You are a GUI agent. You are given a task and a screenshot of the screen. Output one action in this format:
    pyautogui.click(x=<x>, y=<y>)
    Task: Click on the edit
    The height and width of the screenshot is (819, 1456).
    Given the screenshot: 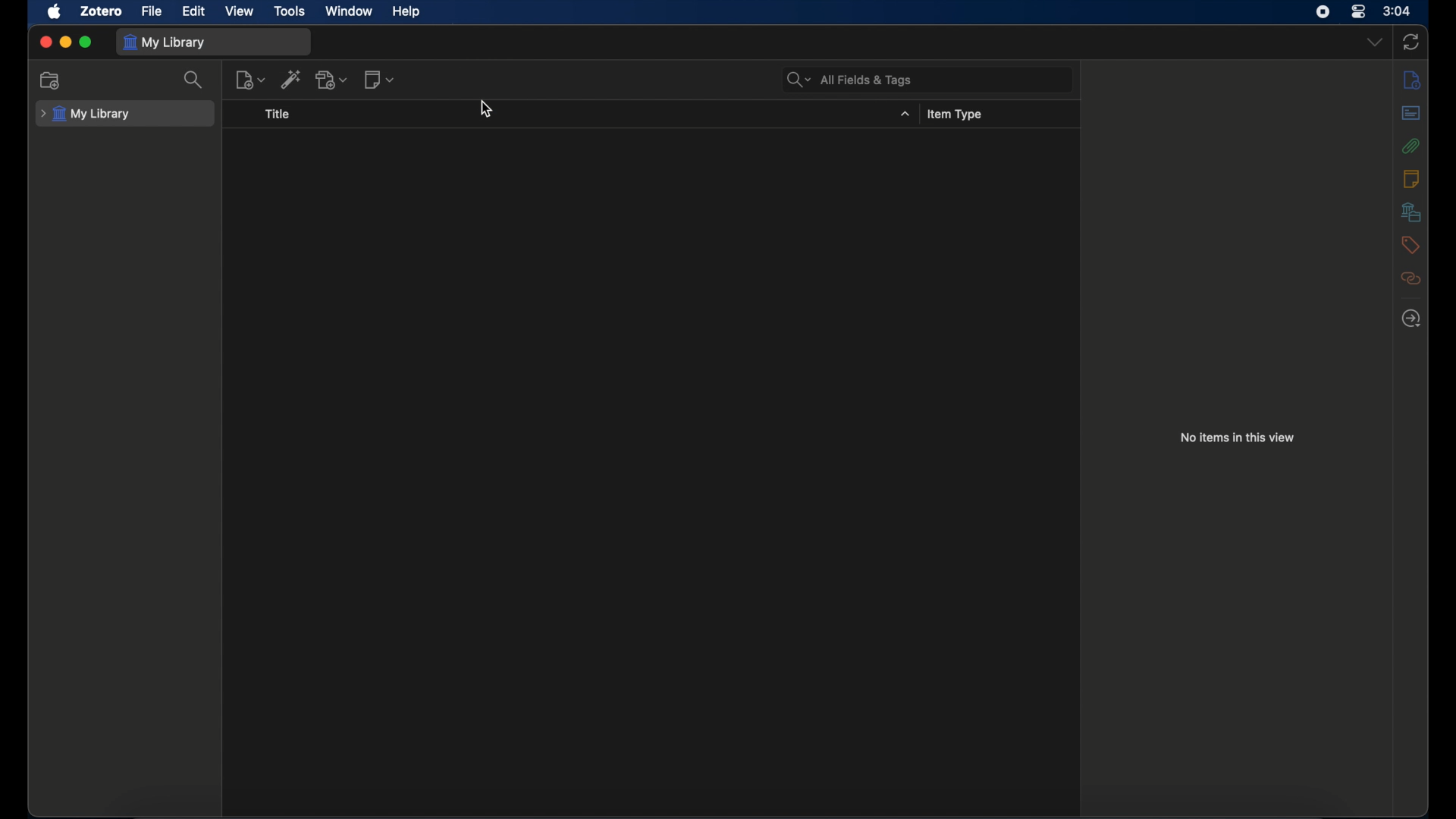 What is the action you would take?
    pyautogui.click(x=196, y=10)
    